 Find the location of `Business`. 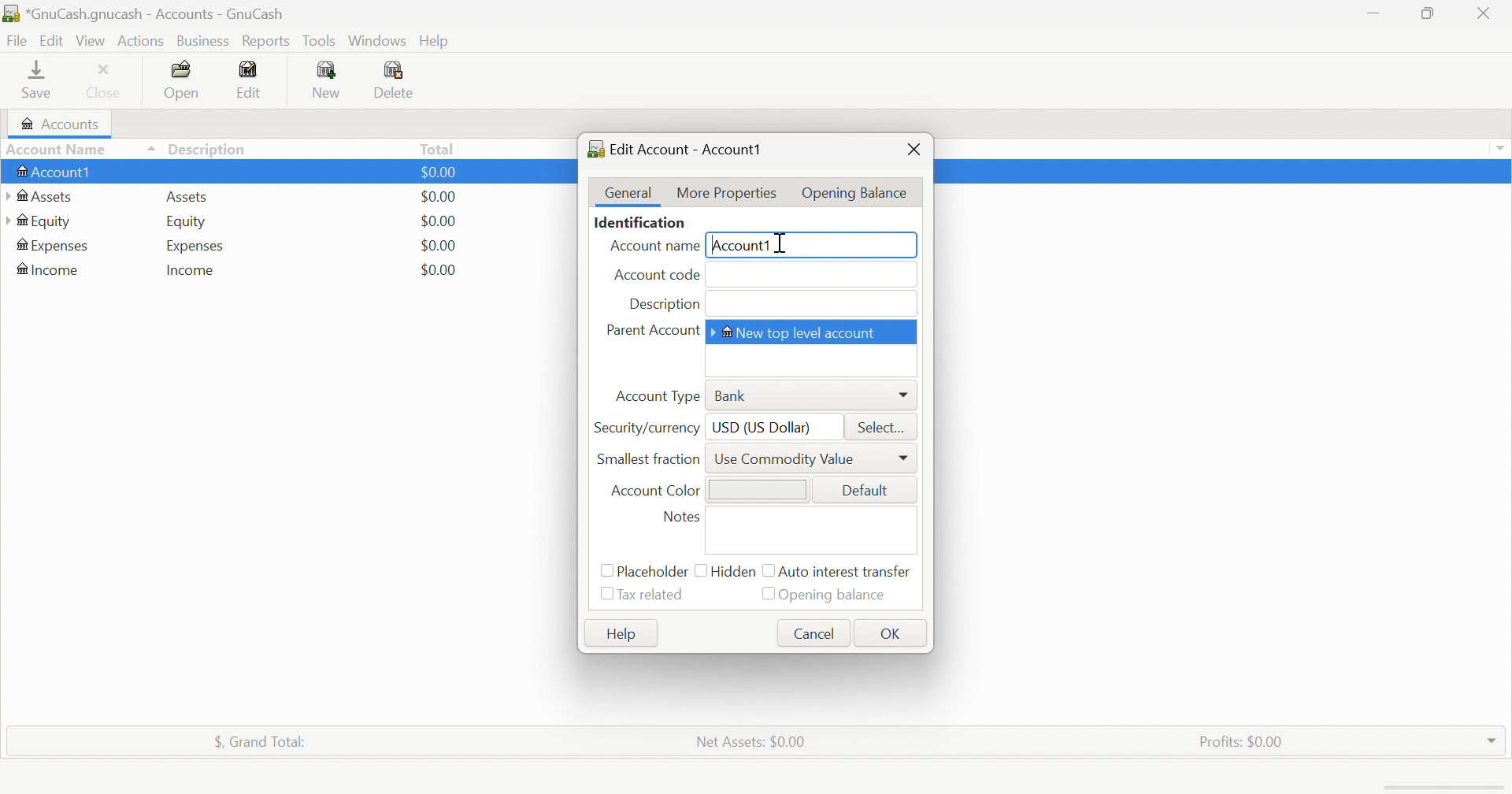

Business is located at coordinates (202, 42).